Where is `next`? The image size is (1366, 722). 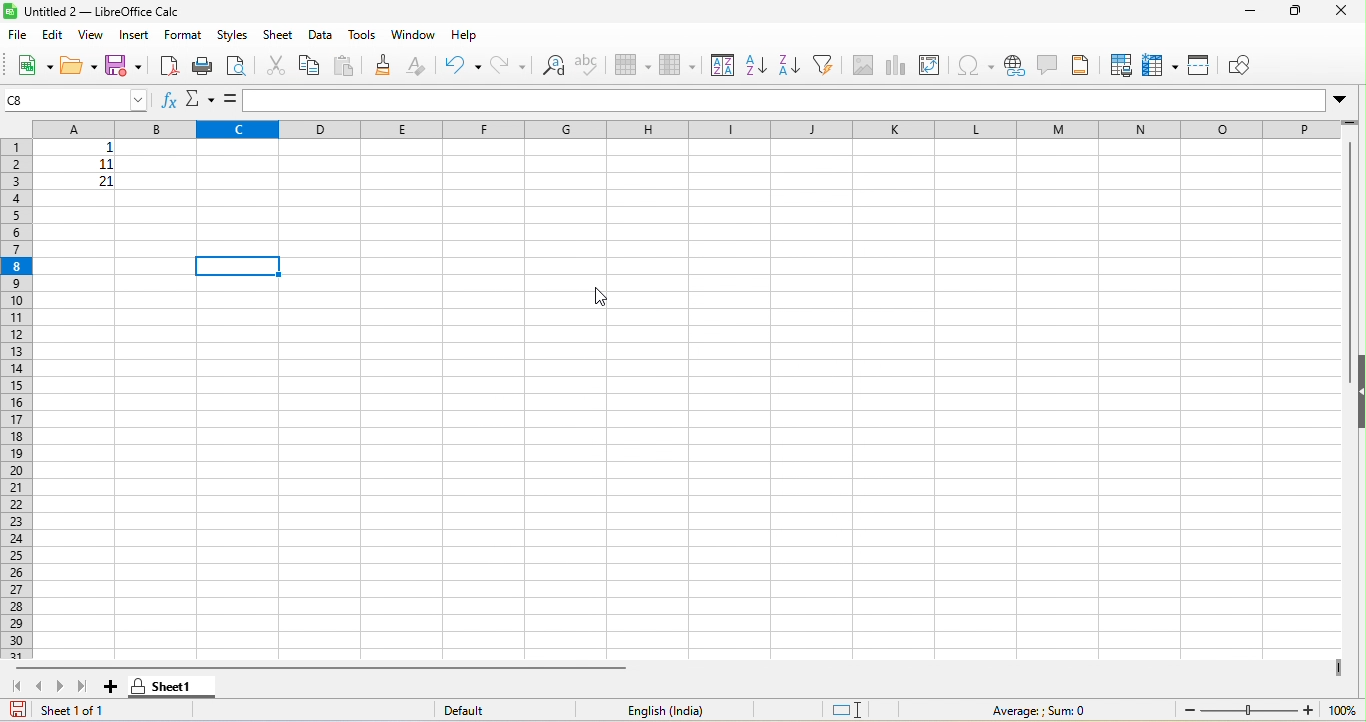
next is located at coordinates (62, 686).